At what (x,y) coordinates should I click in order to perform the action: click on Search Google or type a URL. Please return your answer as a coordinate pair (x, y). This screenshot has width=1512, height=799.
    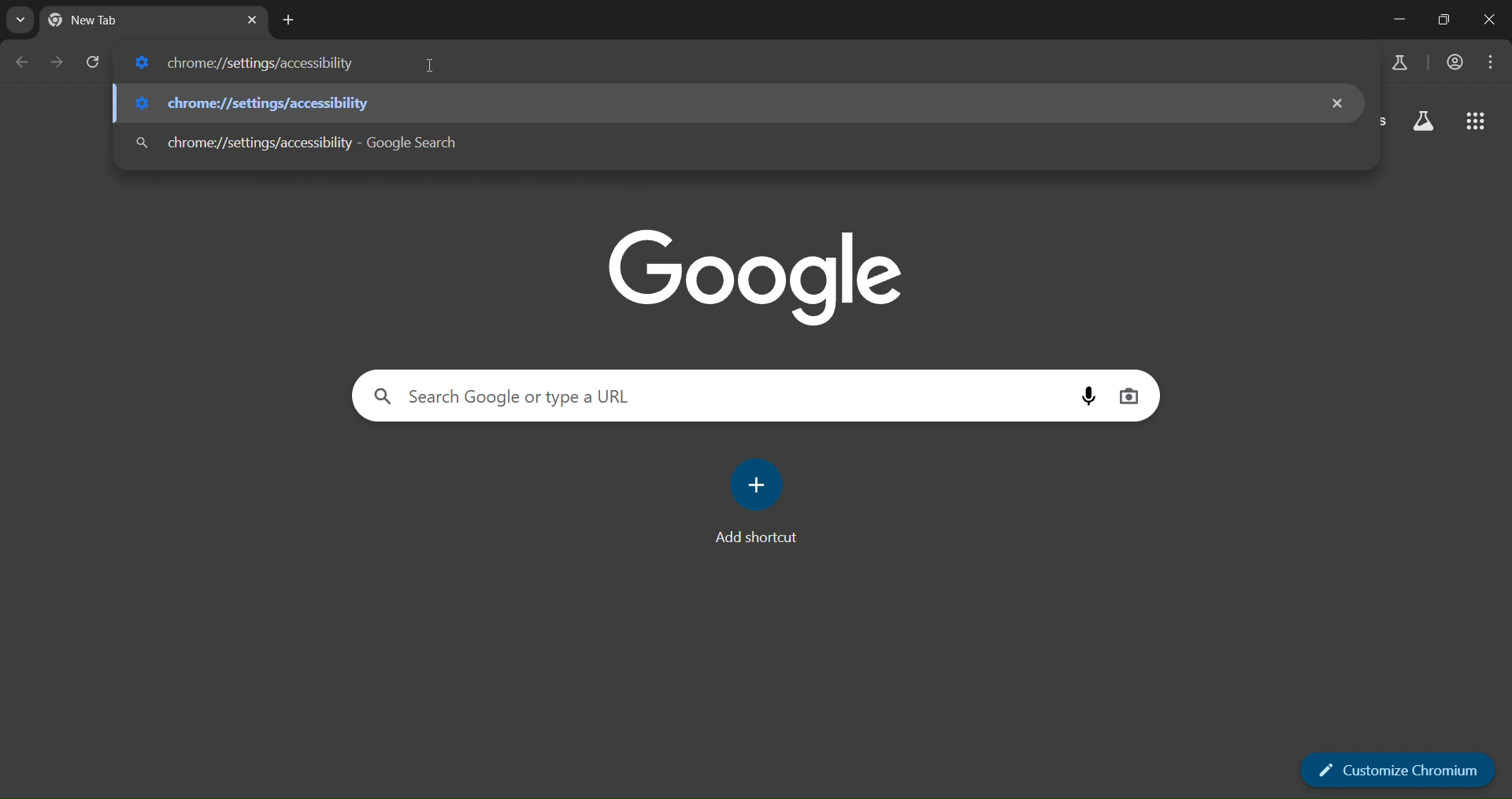
    Looking at the image, I should click on (512, 396).